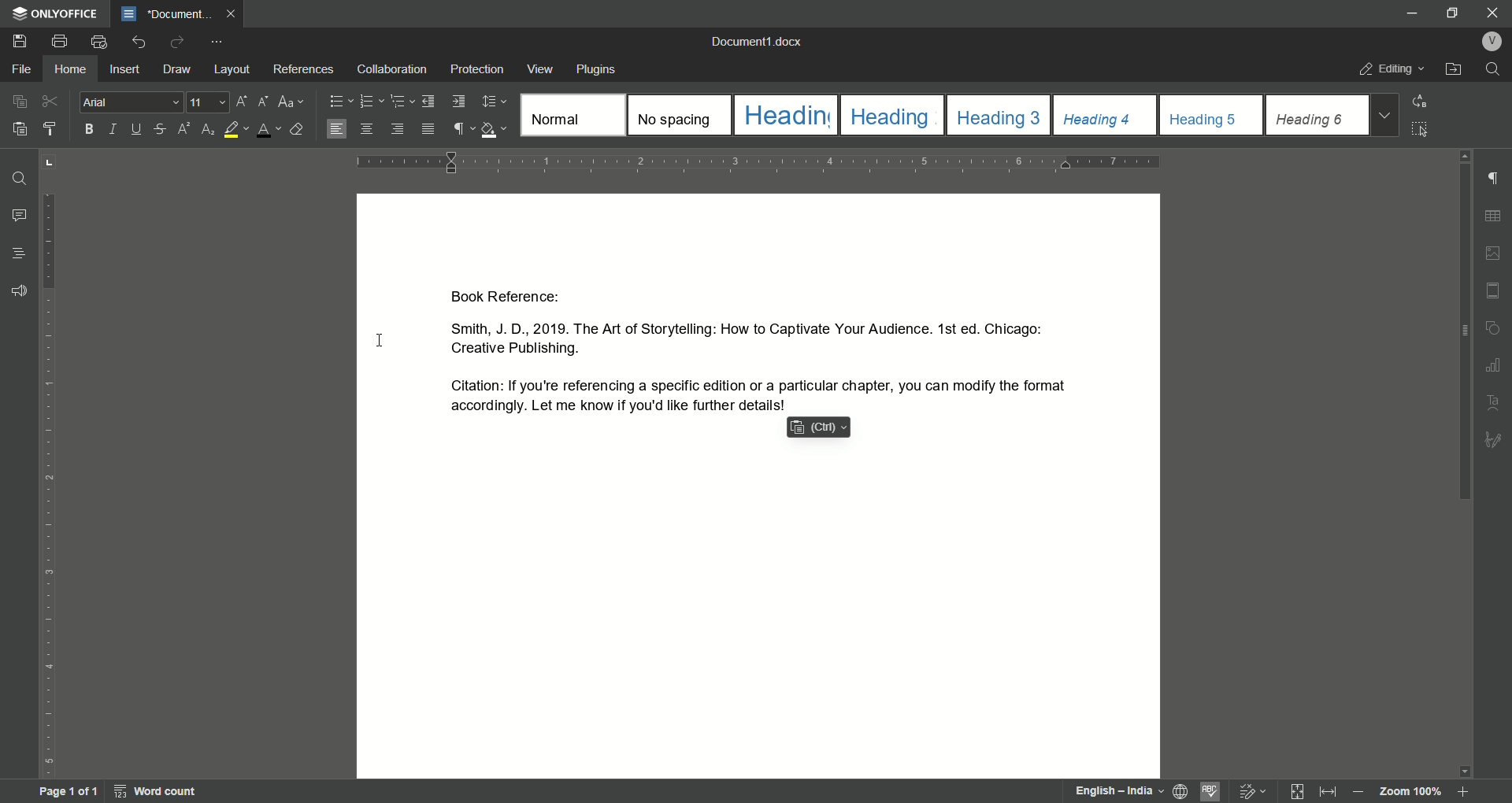 Image resolution: width=1512 pixels, height=803 pixels. Describe the element at coordinates (1409, 13) in the screenshot. I see `hide window` at that location.